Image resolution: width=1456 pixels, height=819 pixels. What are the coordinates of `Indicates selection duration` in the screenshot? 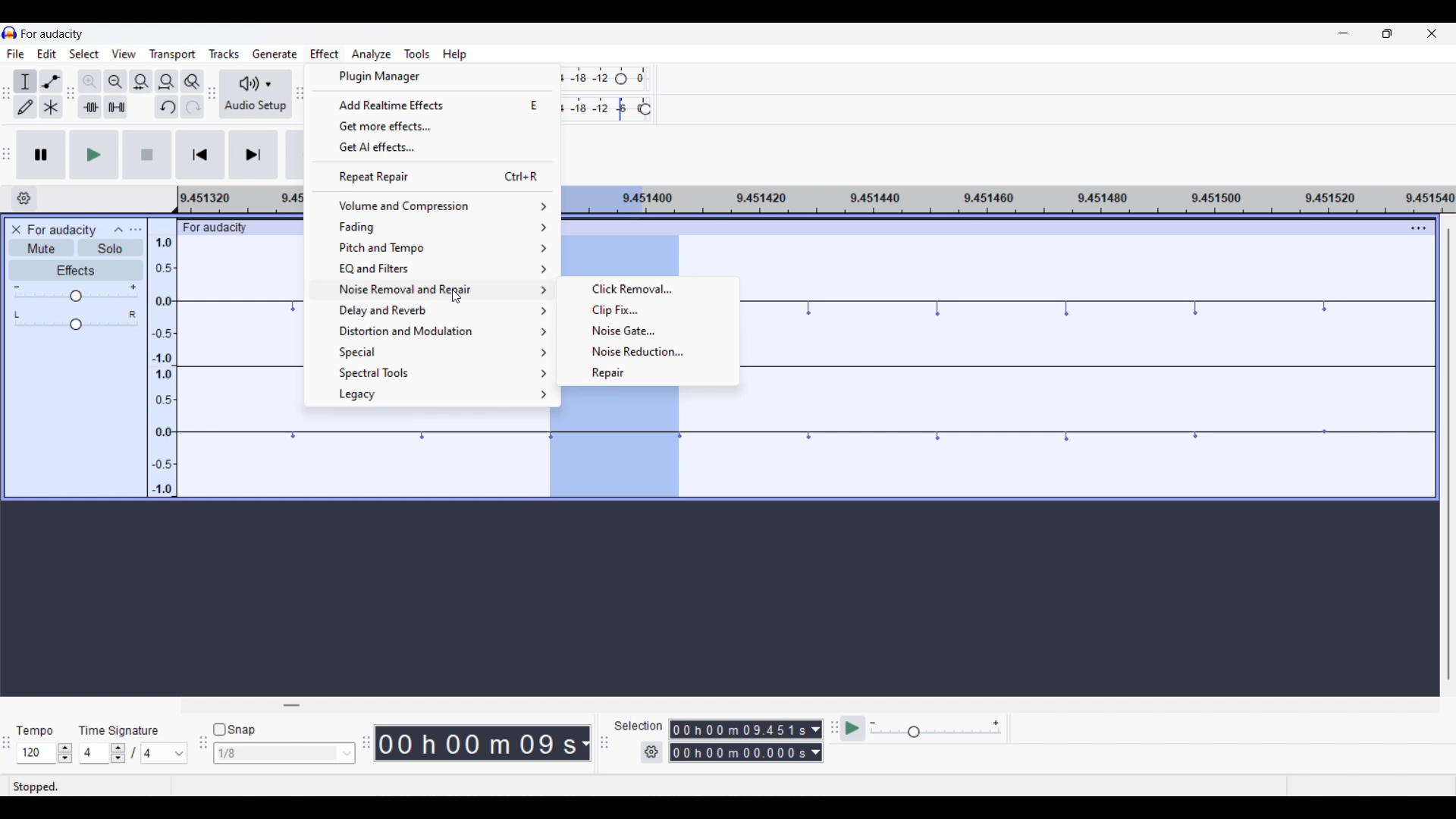 It's located at (638, 726).